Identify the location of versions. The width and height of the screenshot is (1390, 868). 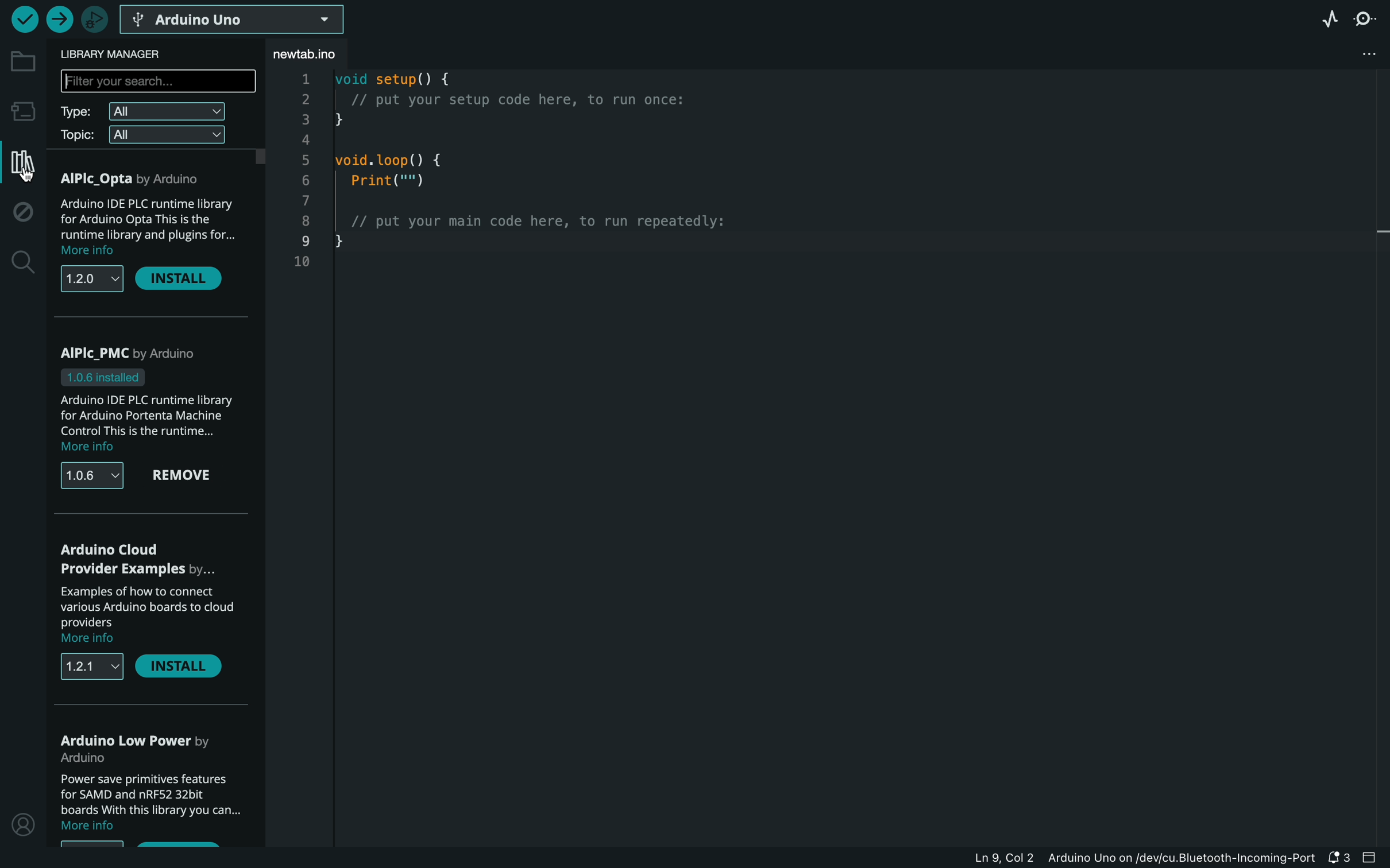
(90, 668).